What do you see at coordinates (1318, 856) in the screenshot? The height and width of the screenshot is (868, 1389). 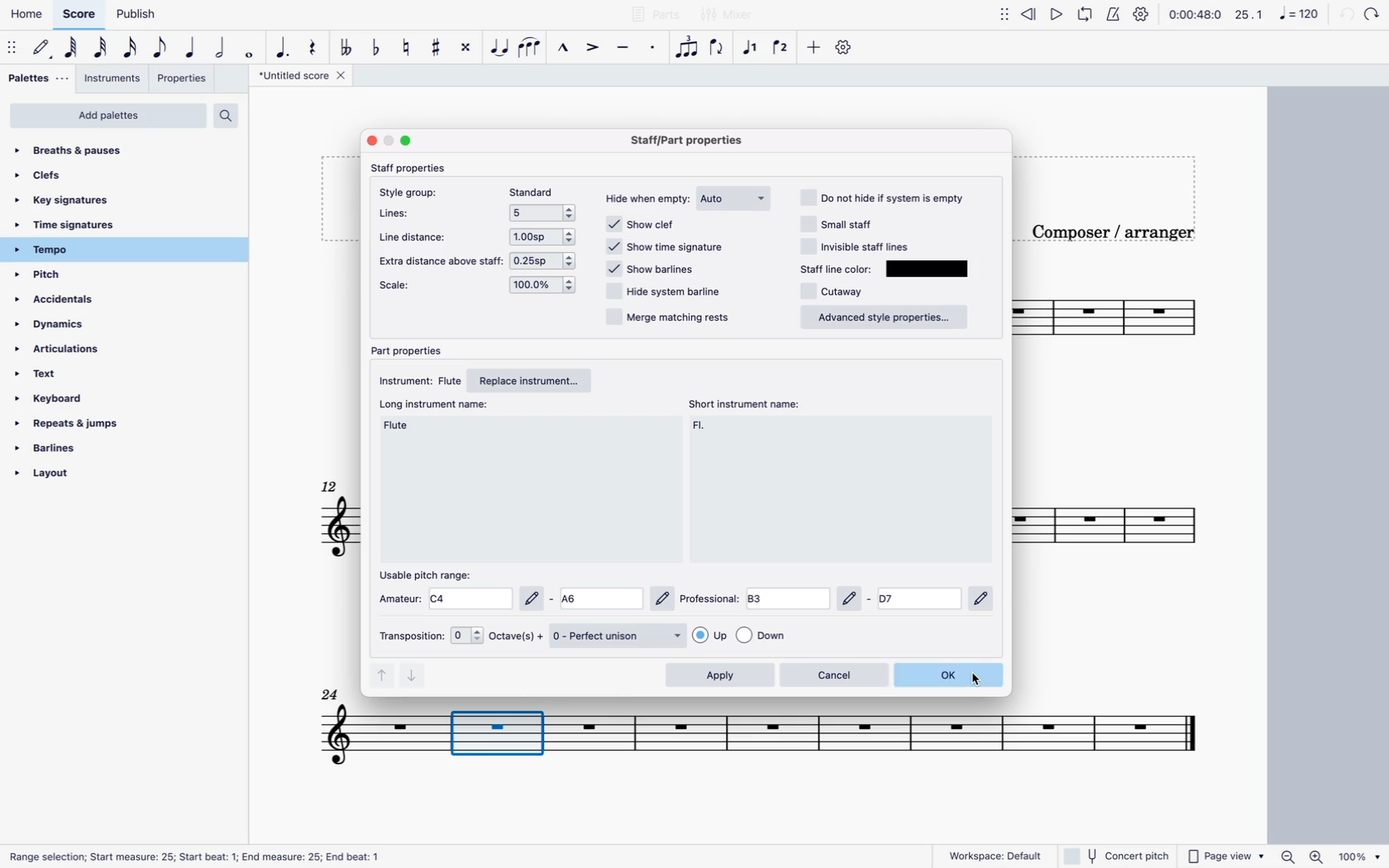 I see `Zoom in` at bounding box center [1318, 856].